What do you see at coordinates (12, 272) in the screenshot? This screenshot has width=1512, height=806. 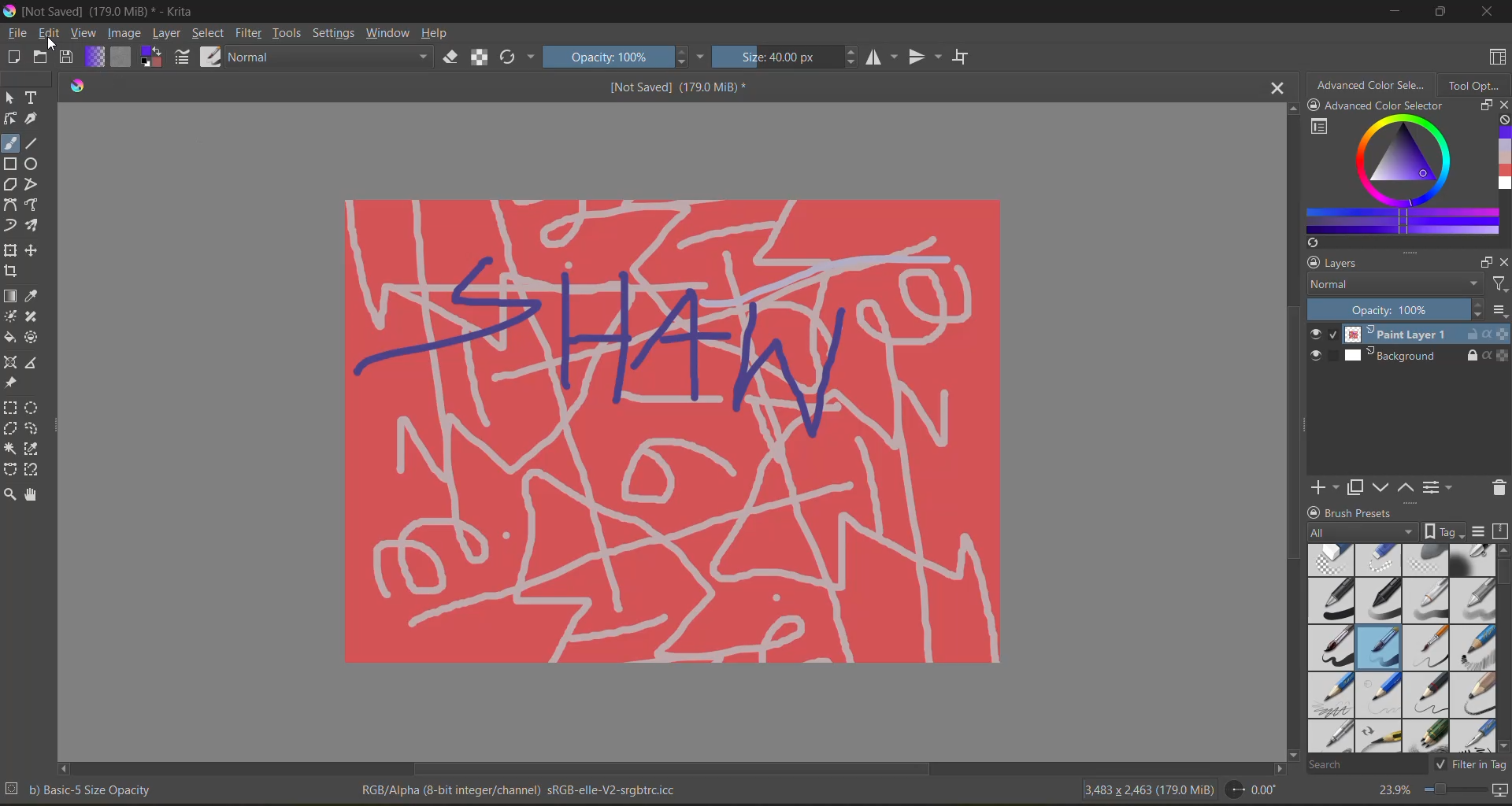 I see `crop tool` at bounding box center [12, 272].